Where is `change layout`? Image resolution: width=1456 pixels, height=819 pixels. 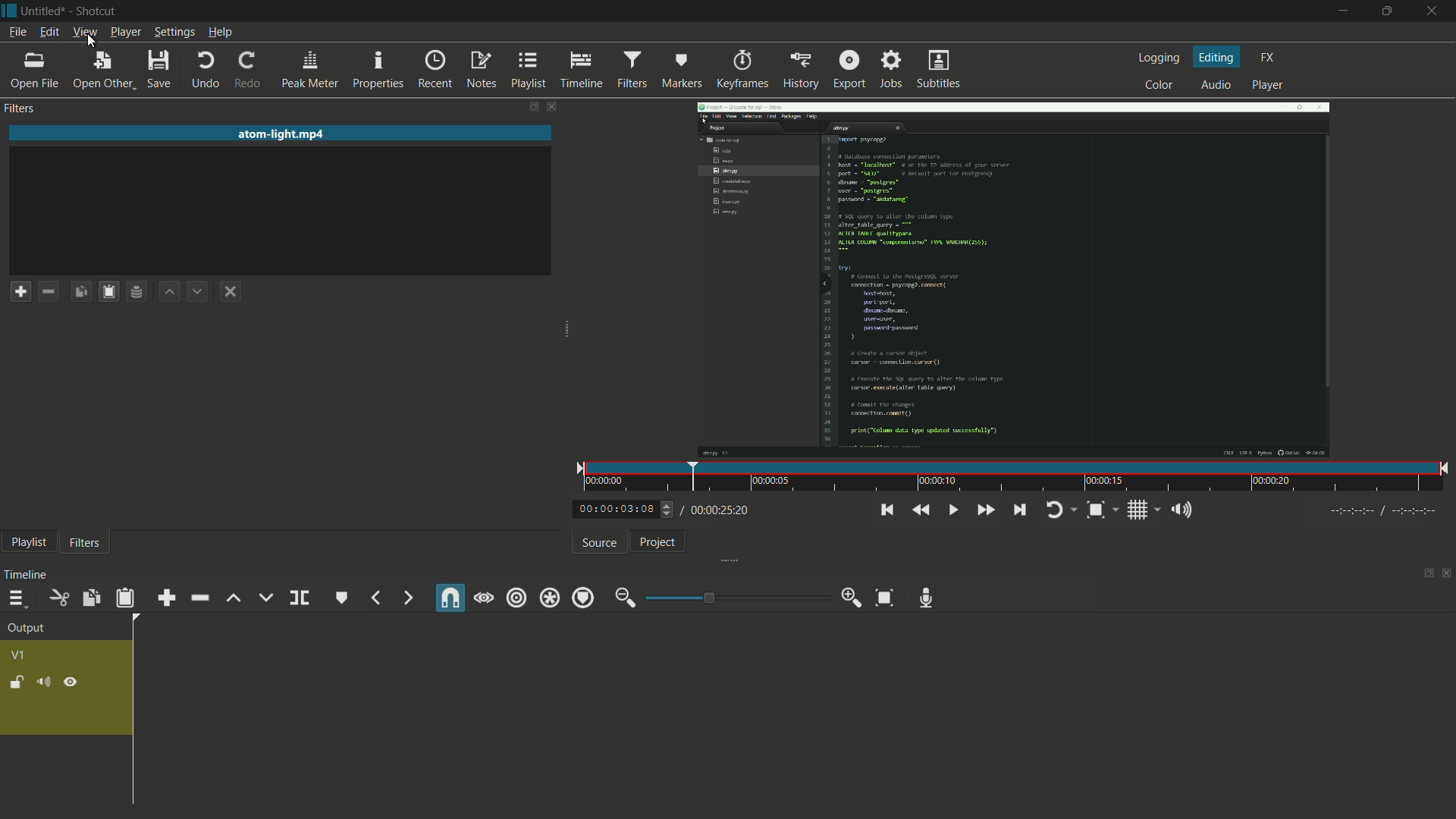 change layout is located at coordinates (532, 108).